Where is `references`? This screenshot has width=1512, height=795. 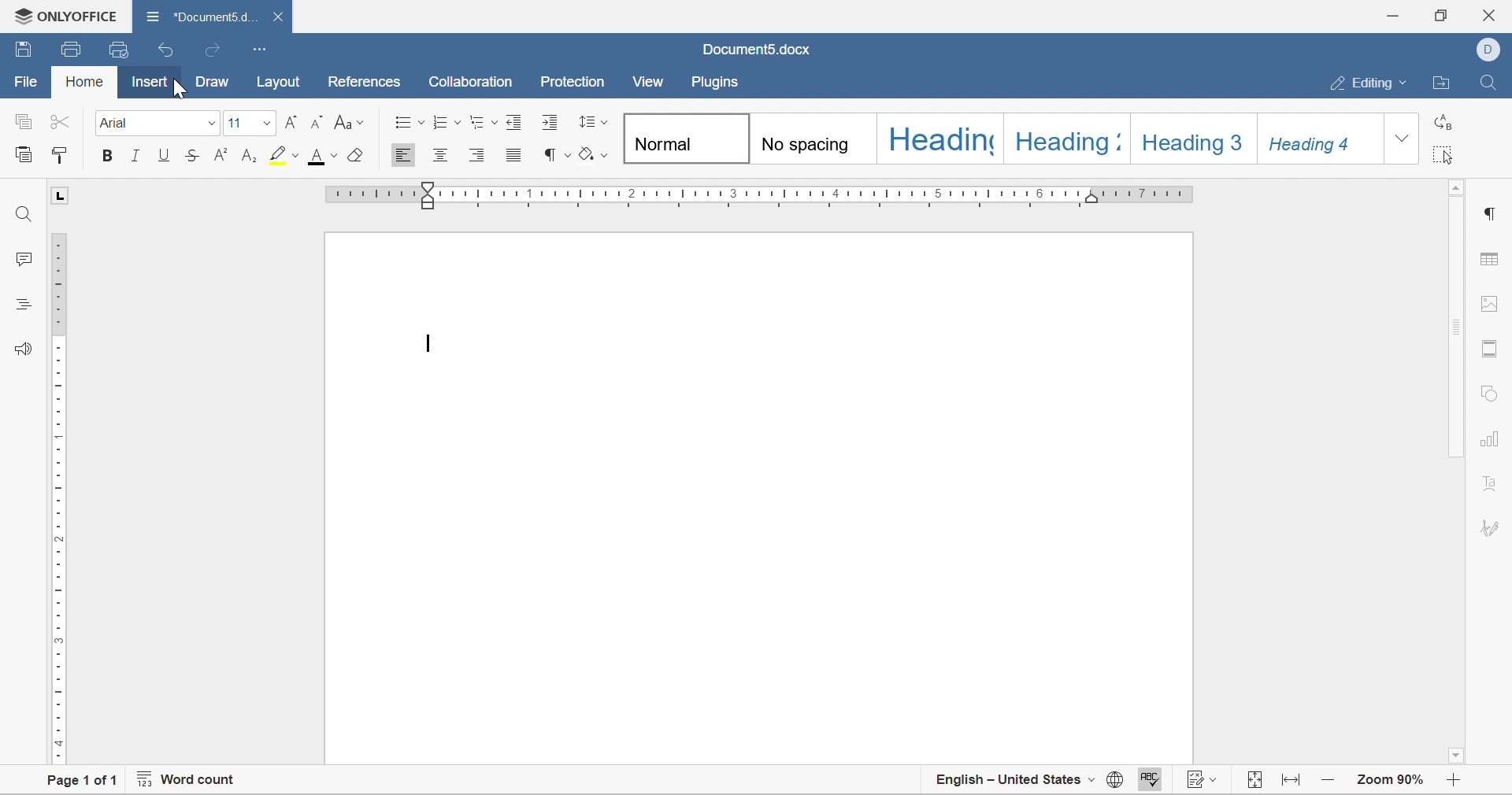 references is located at coordinates (365, 82).